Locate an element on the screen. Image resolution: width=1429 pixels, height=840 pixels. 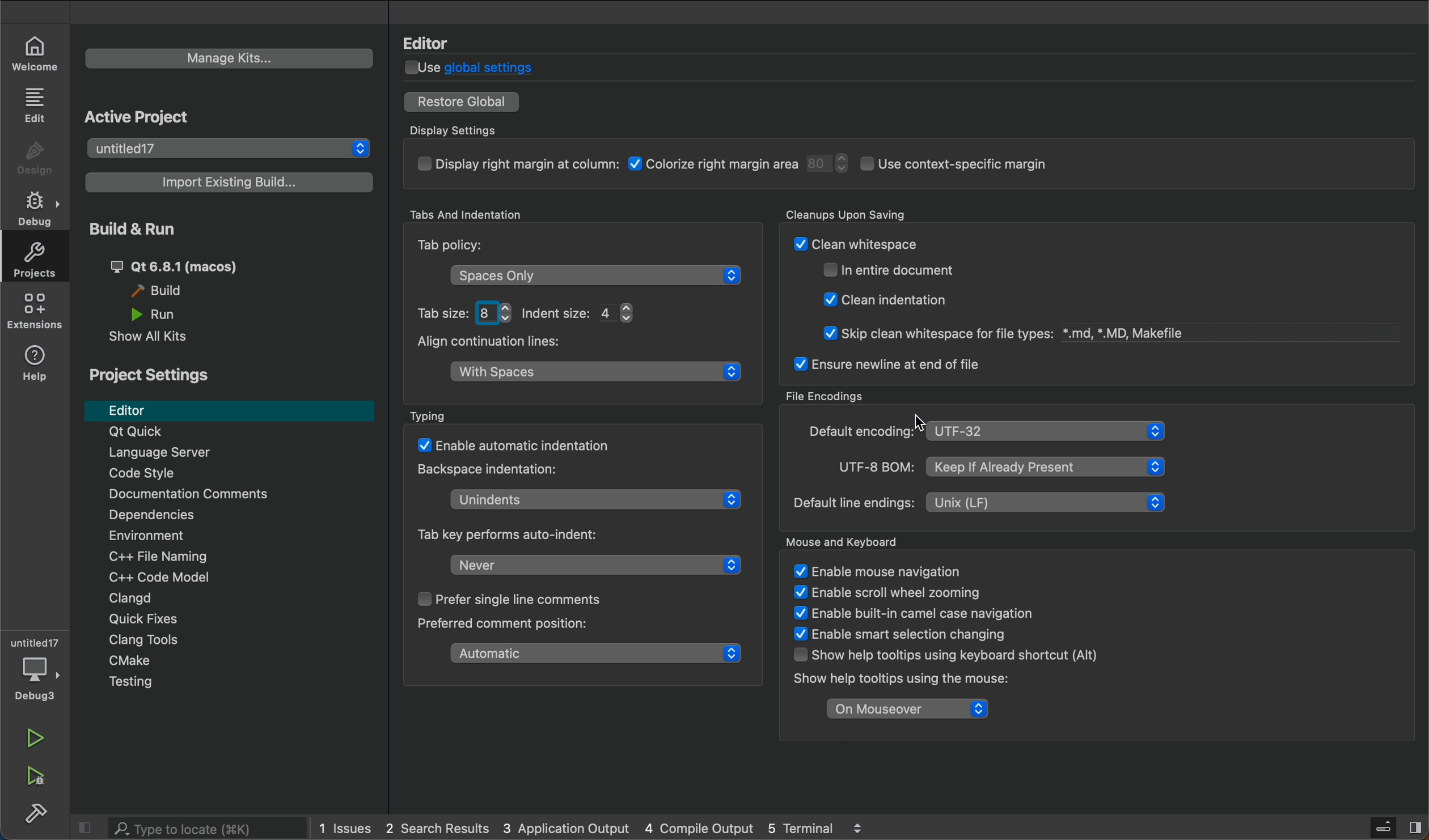
build is located at coordinates (192, 293).